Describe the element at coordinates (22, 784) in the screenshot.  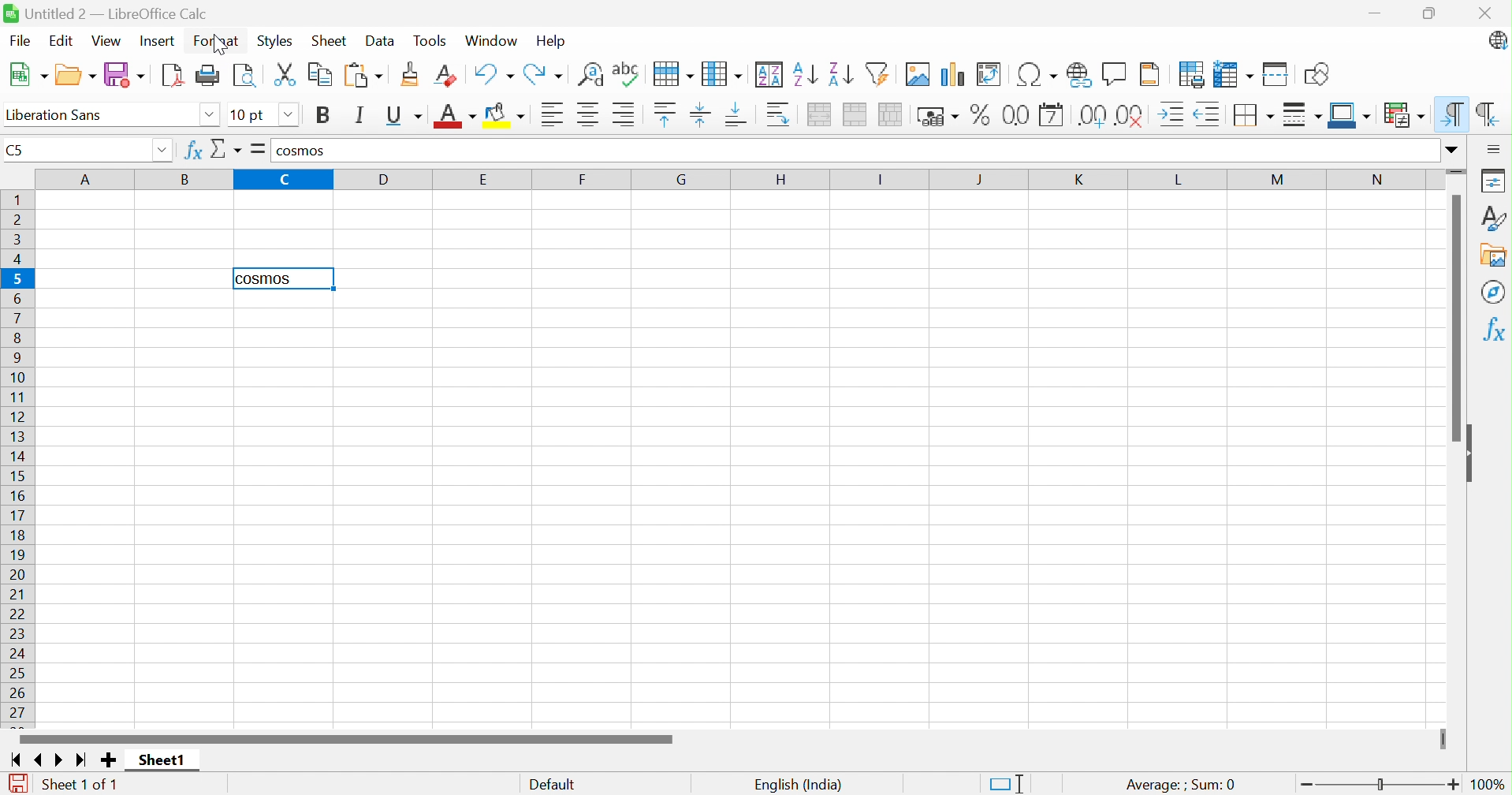
I see `The document has been modified. Click to save the document.` at that location.